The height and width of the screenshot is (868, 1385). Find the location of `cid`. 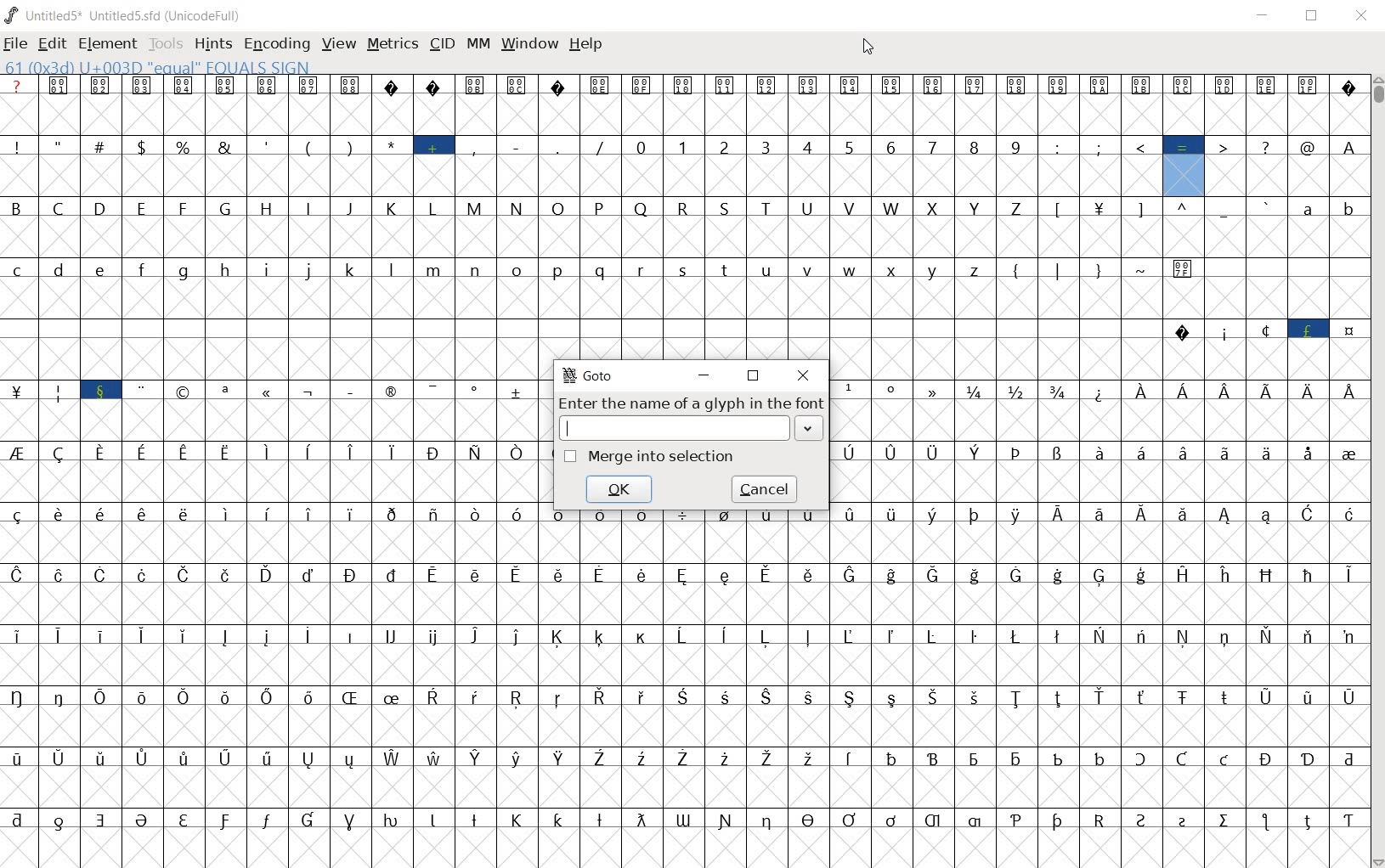

cid is located at coordinates (441, 43).